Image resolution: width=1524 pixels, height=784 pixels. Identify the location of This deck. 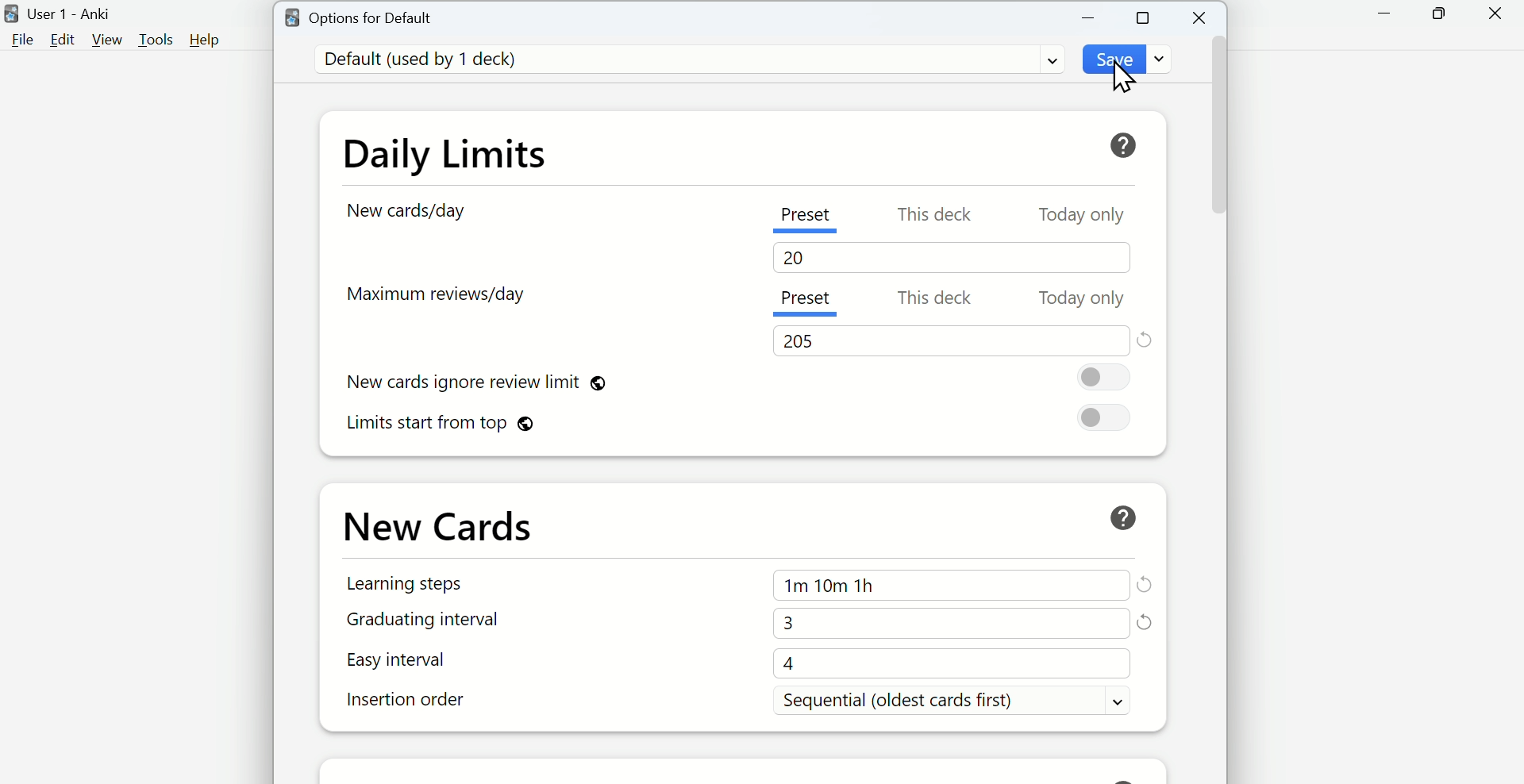
(932, 300).